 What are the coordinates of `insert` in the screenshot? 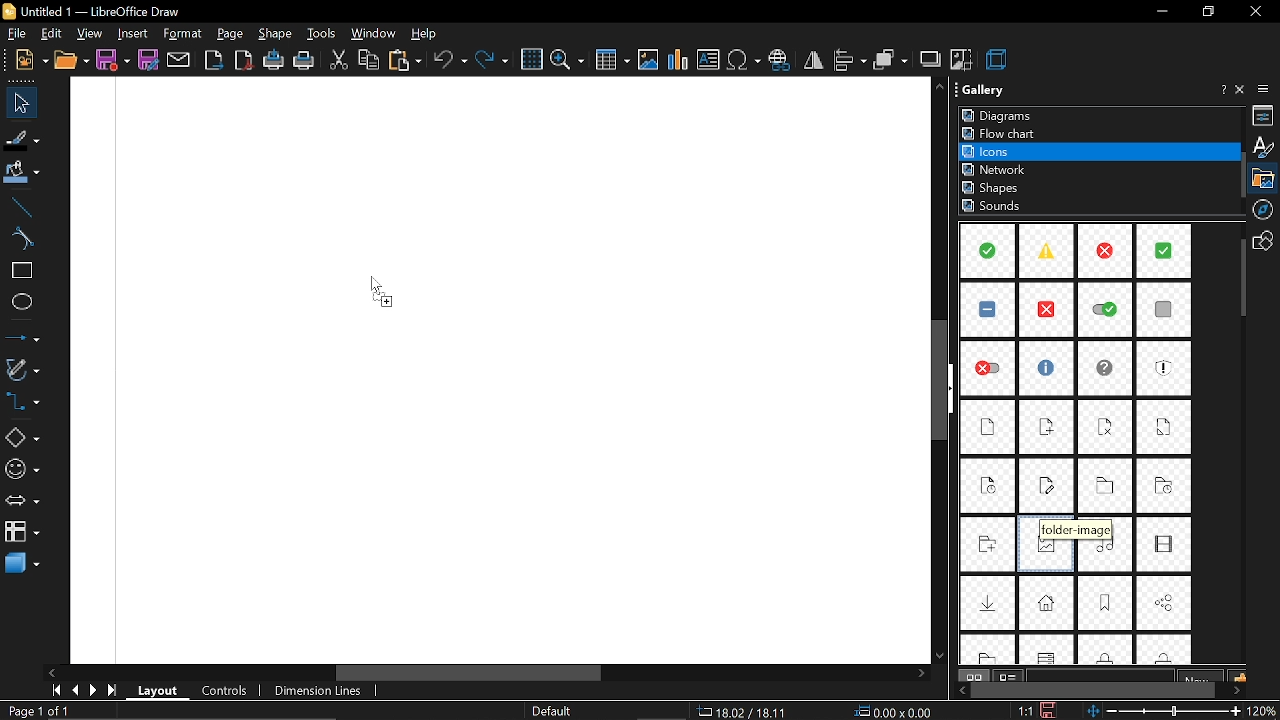 It's located at (130, 34).